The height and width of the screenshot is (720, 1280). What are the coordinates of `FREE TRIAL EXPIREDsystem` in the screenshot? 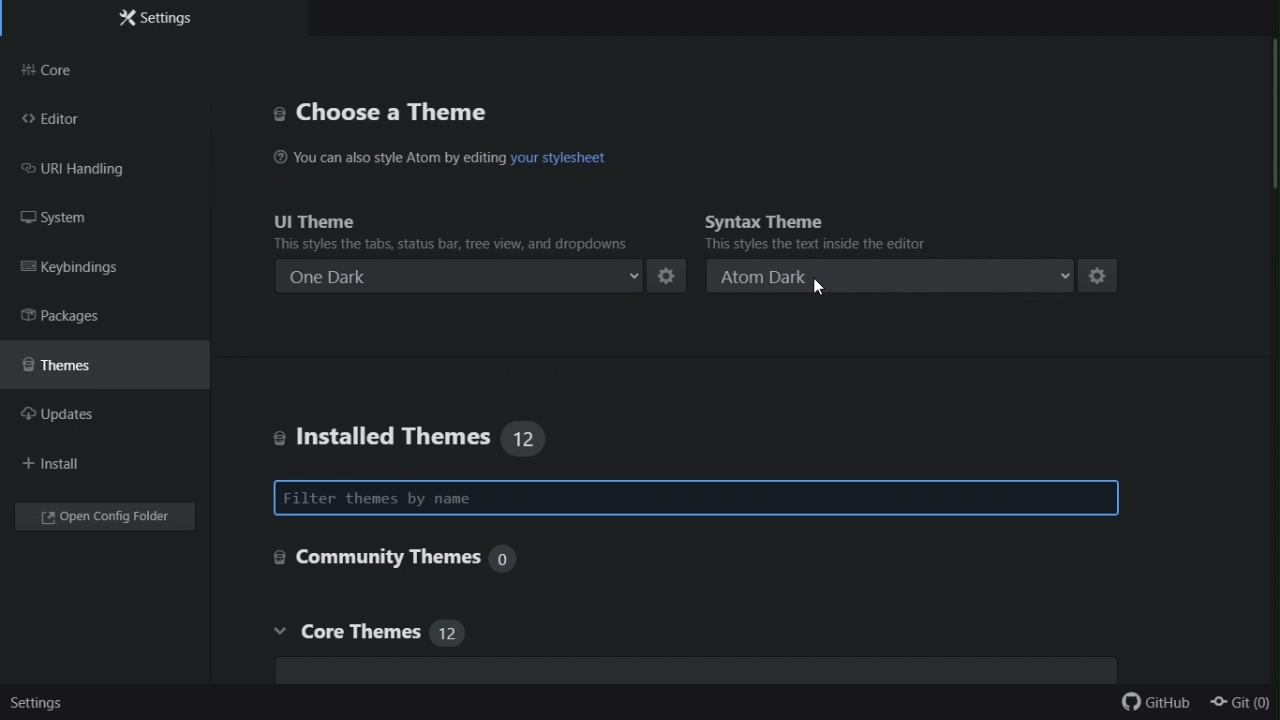 It's located at (60, 214).